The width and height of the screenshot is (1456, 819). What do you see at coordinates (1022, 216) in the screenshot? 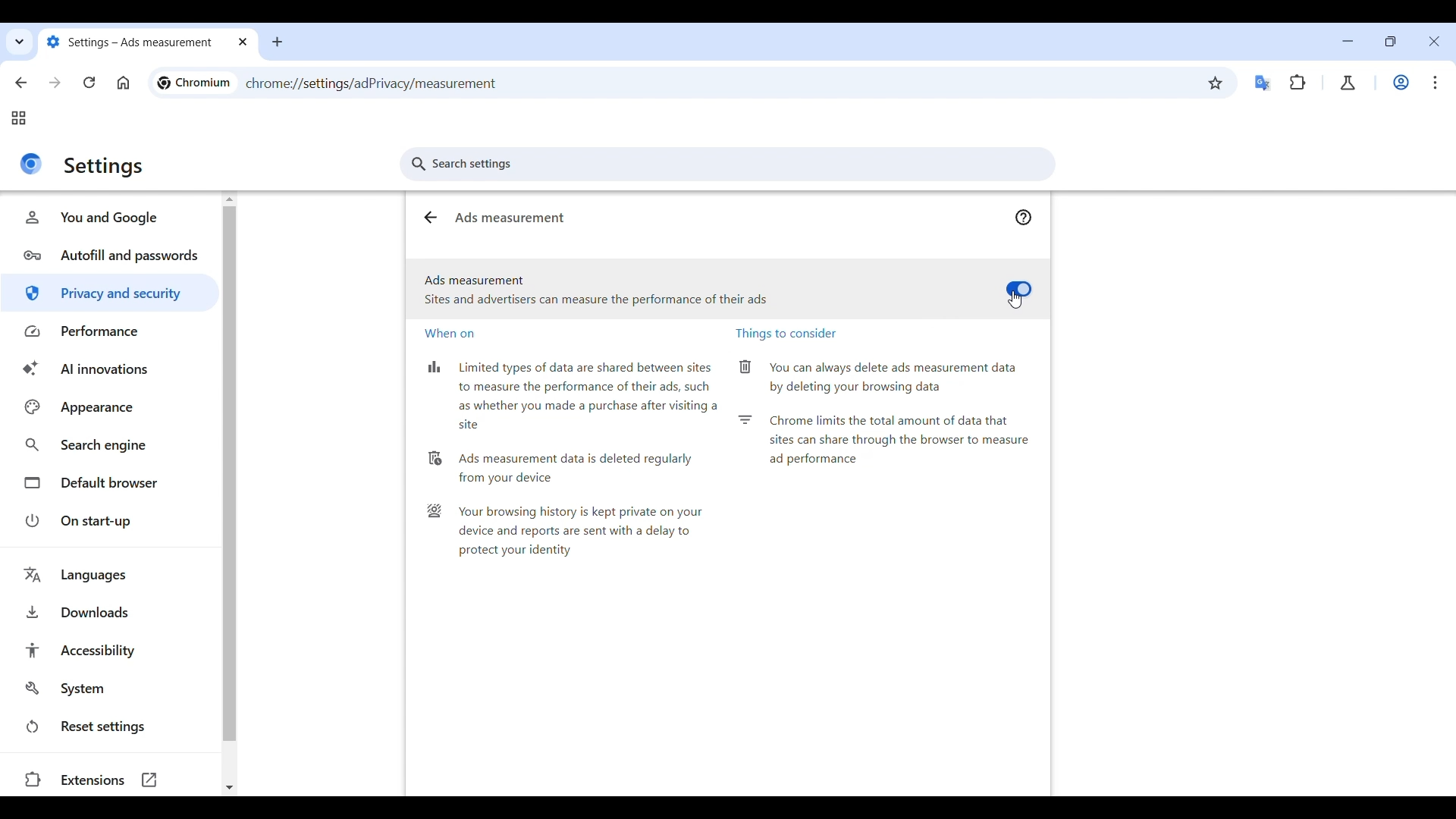
I see `help` at bounding box center [1022, 216].